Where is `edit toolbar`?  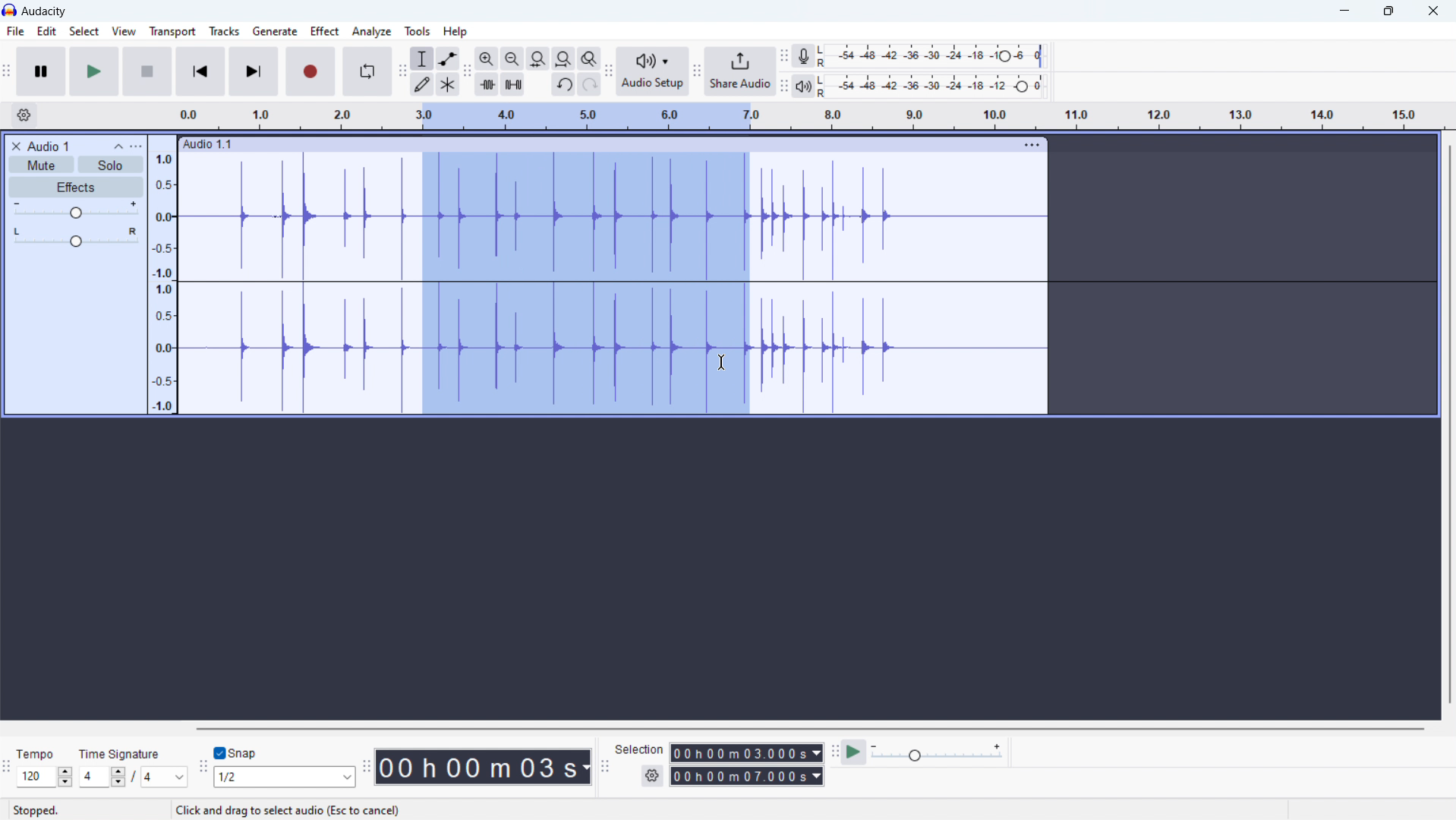
edit toolbar is located at coordinates (468, 72).